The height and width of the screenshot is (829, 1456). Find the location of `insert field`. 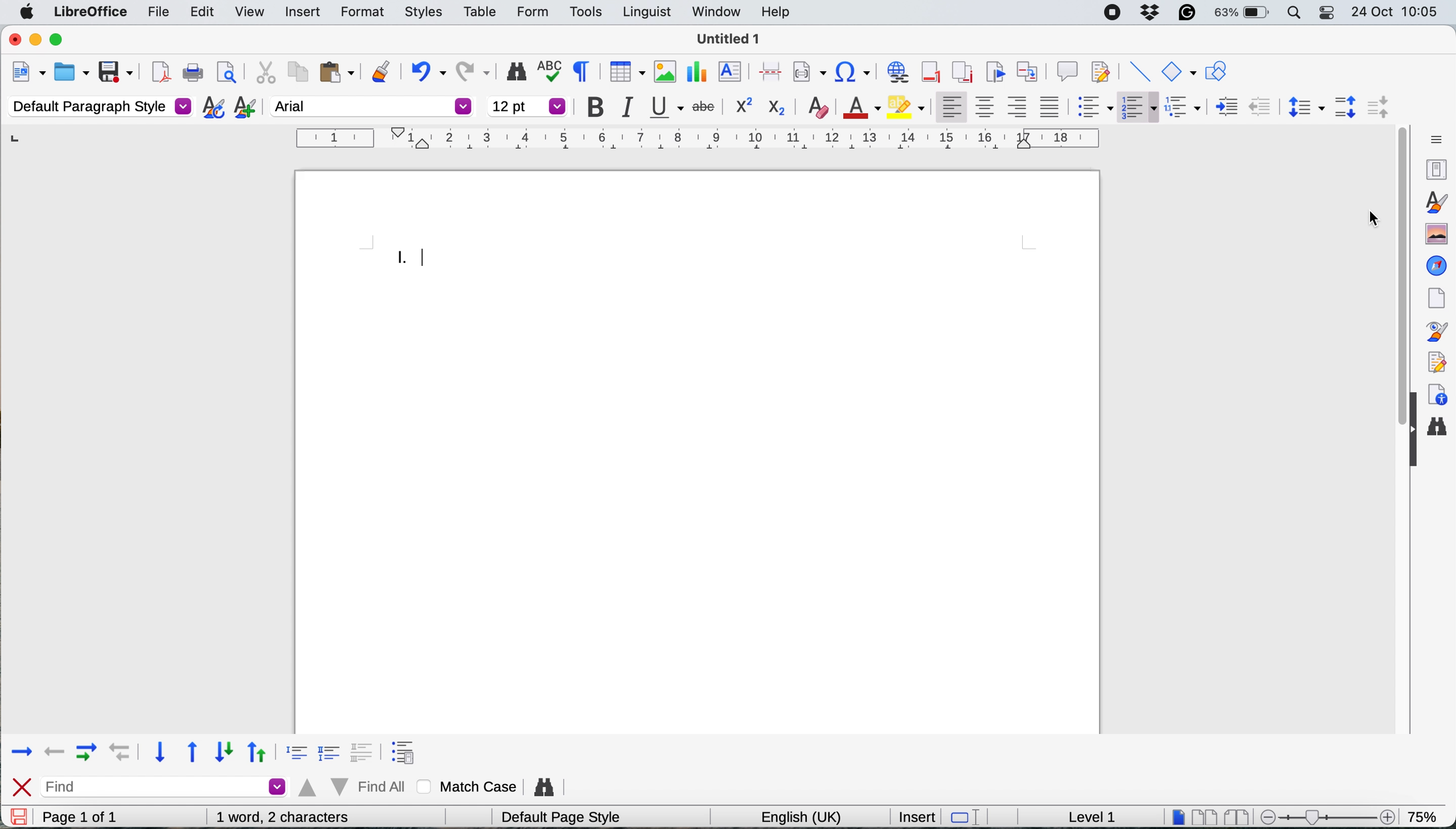

insert field is located at coordinates (809, 73).